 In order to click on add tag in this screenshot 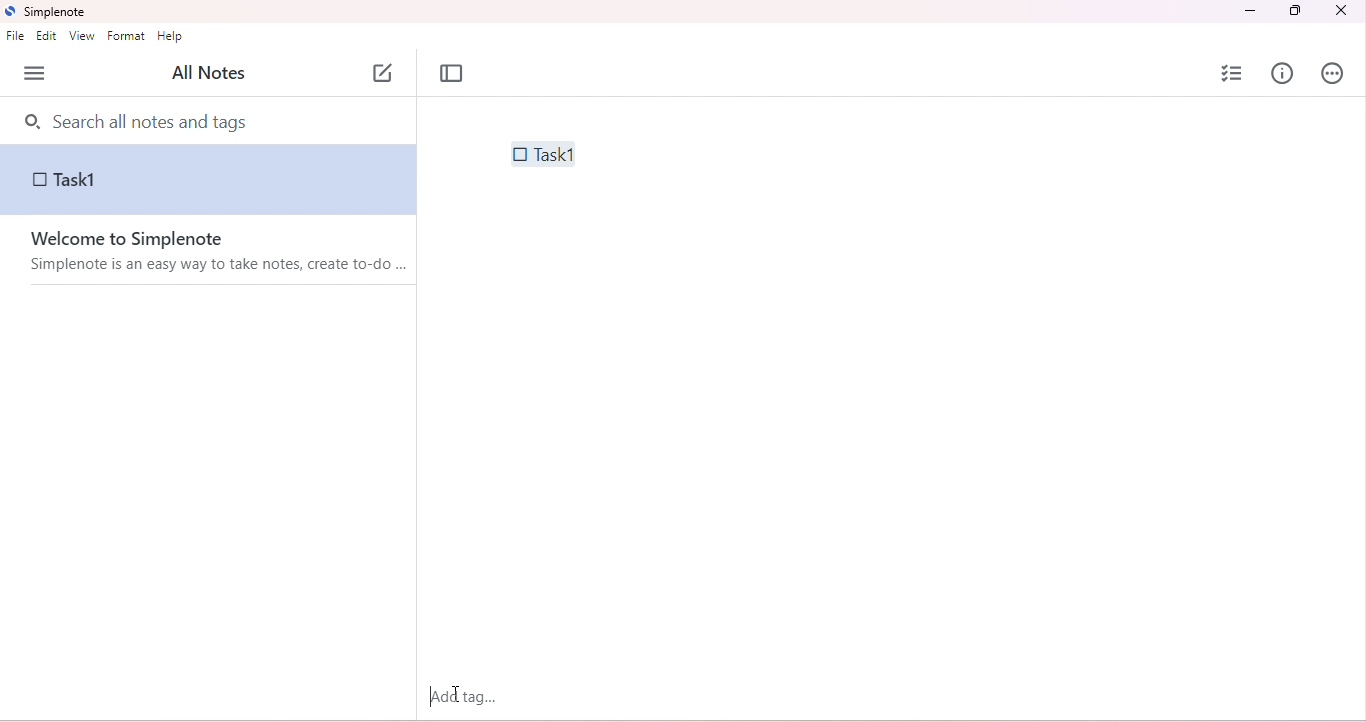, I will do `click(463, 696)`.